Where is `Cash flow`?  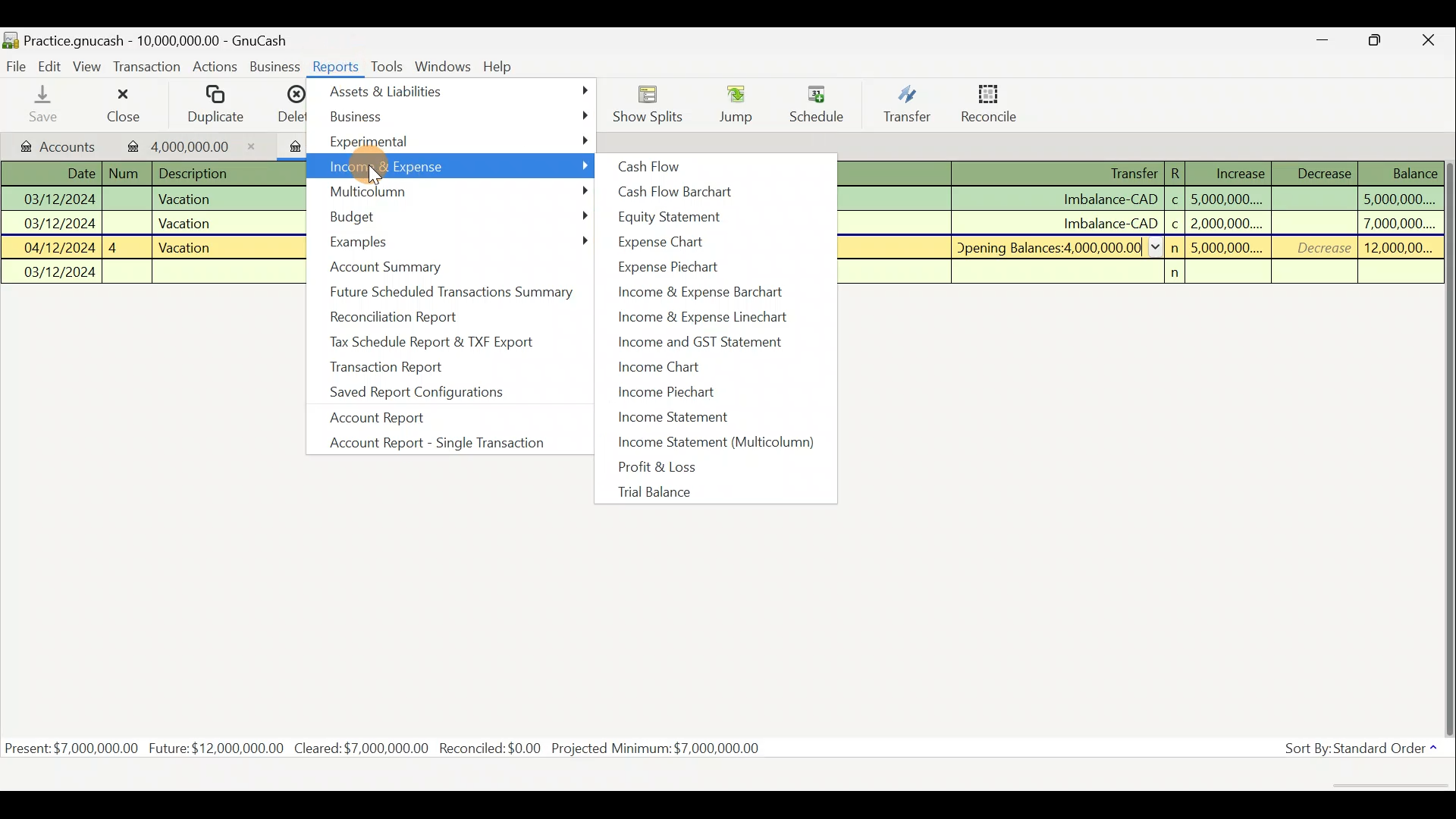
Cash flow is located at coordinates (649, 165).